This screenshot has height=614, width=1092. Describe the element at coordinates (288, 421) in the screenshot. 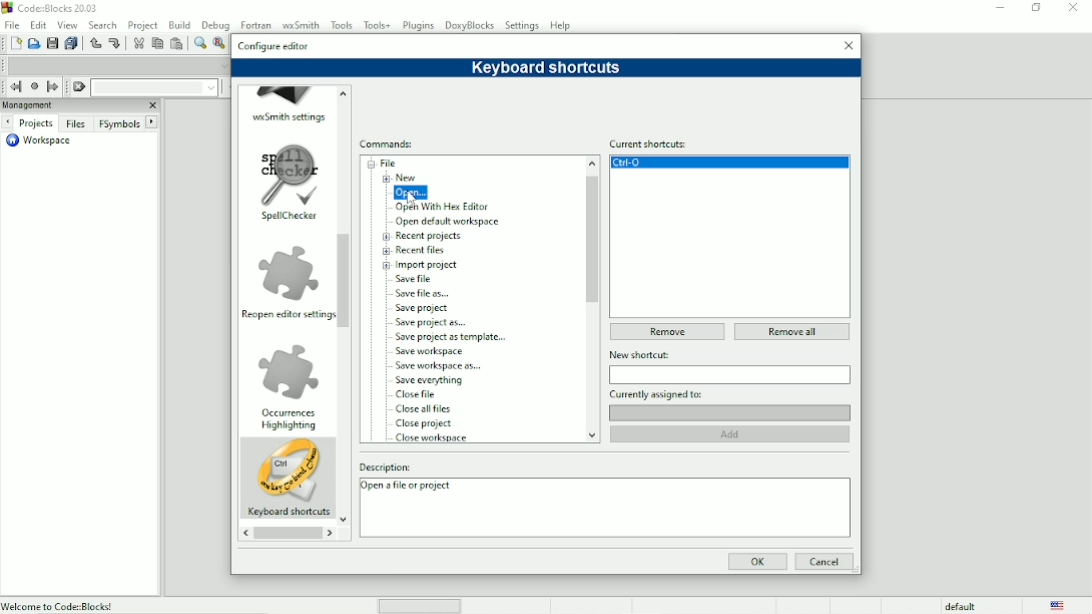

I see `Occurrences highlighting` at that location.